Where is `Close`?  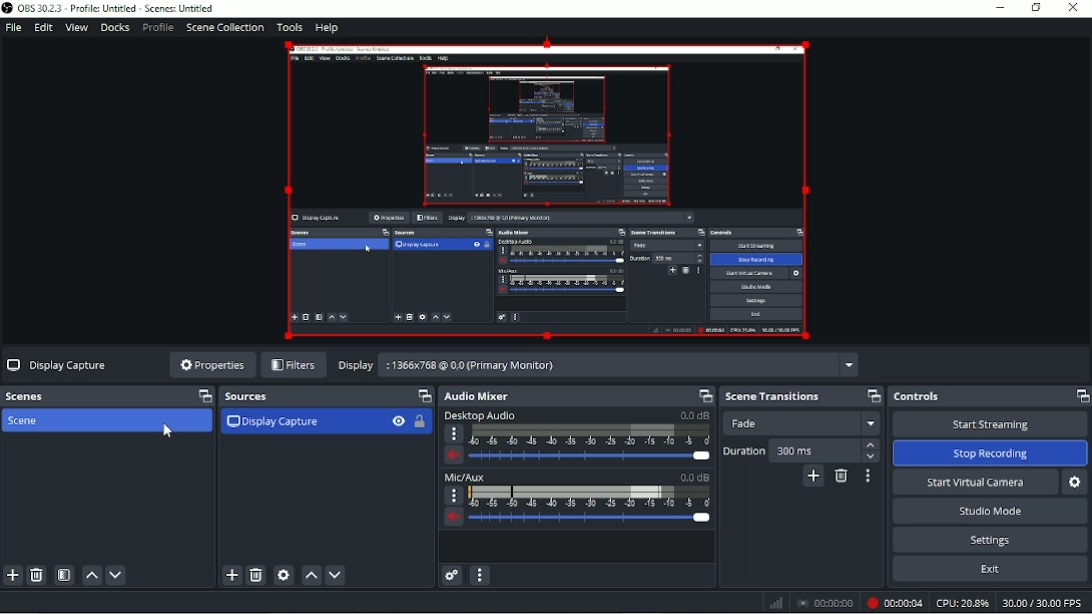
Close is located at coordinates (1074, 9).